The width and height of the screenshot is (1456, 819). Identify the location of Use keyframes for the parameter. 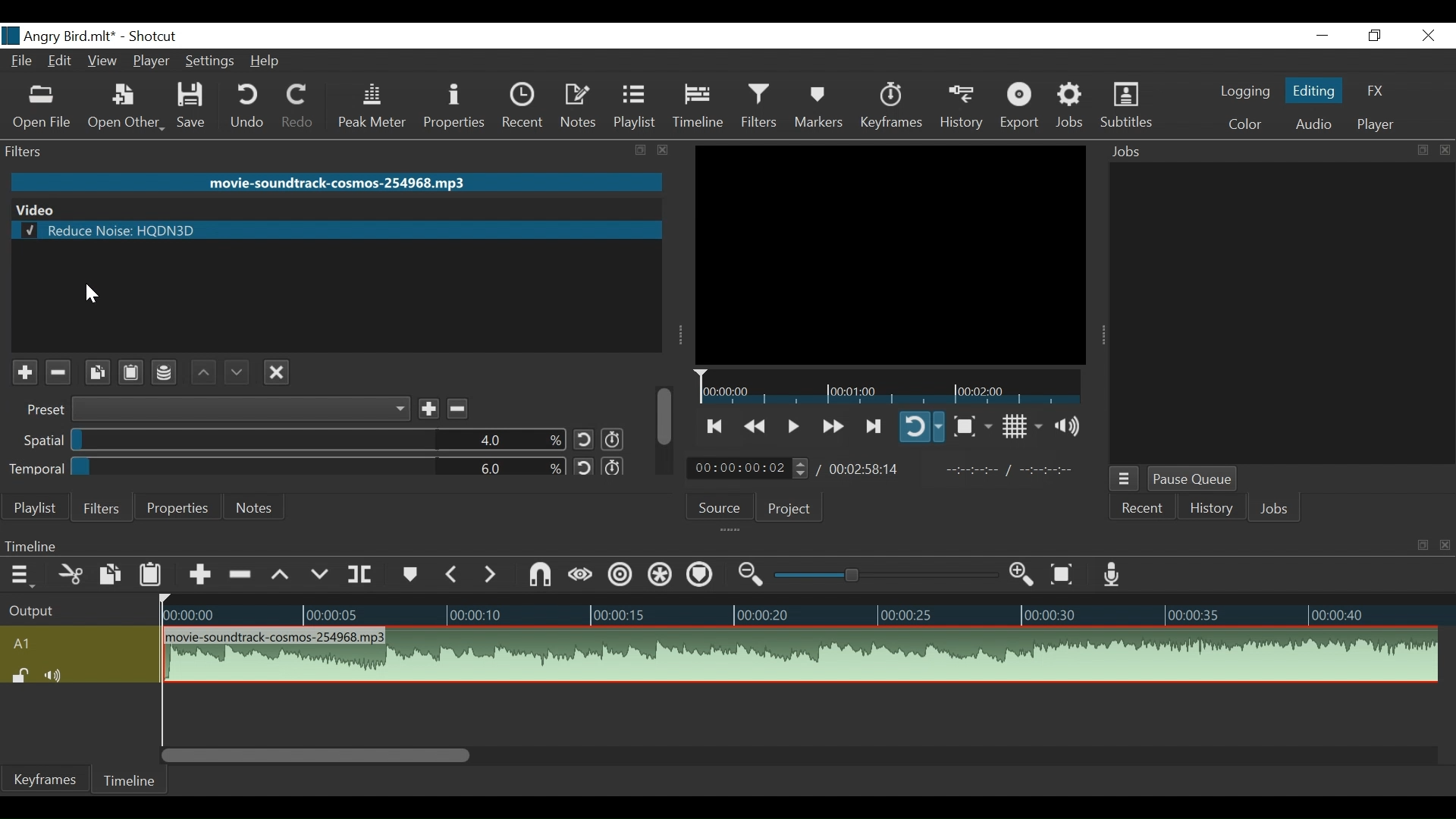
(613, 440).